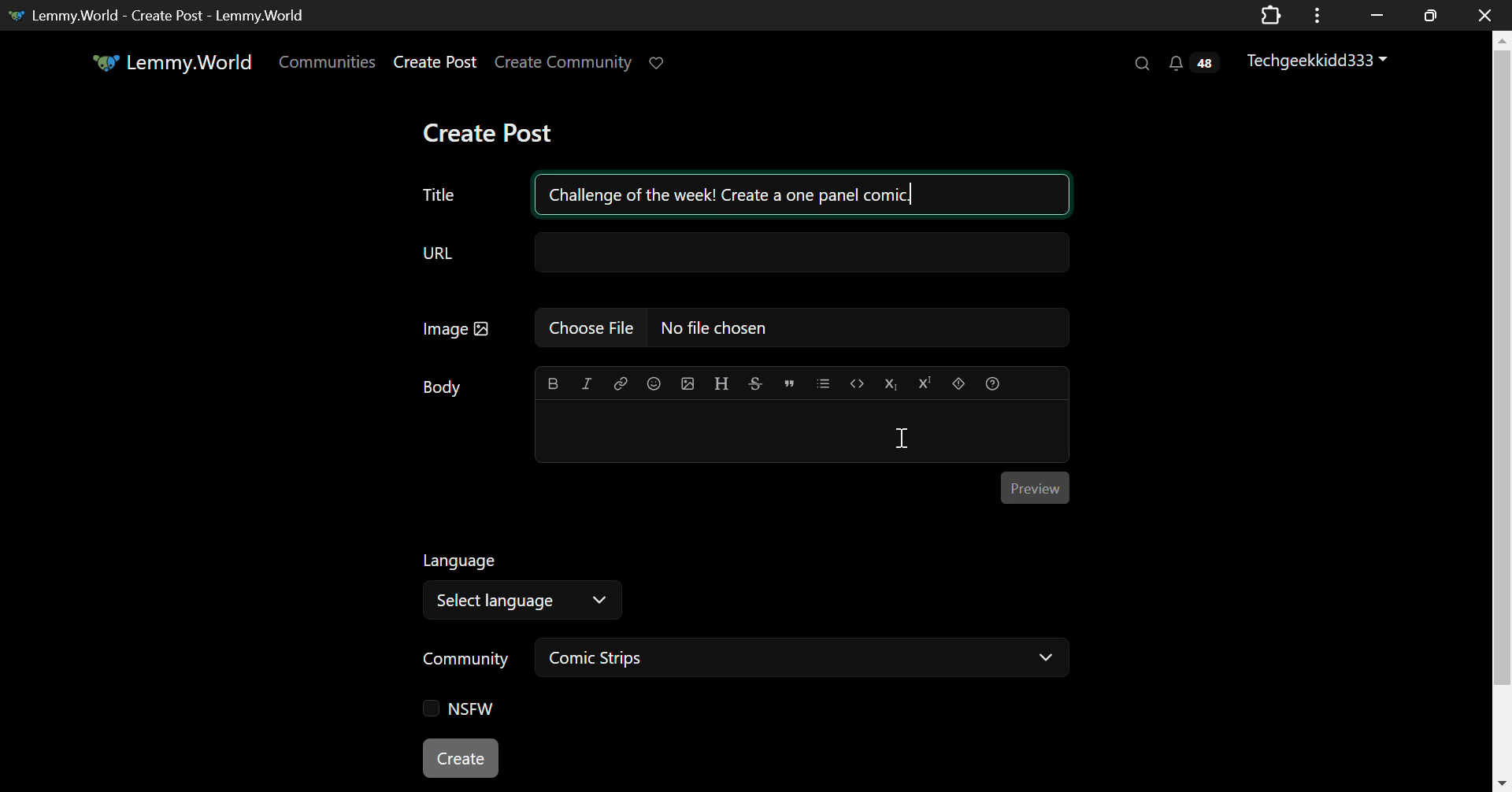 The width and height of the screenshot is (1512, 792). What do you see at coordinates (585, 384) in the screenshot?
I see `italic` at bounding box center [585, 384].